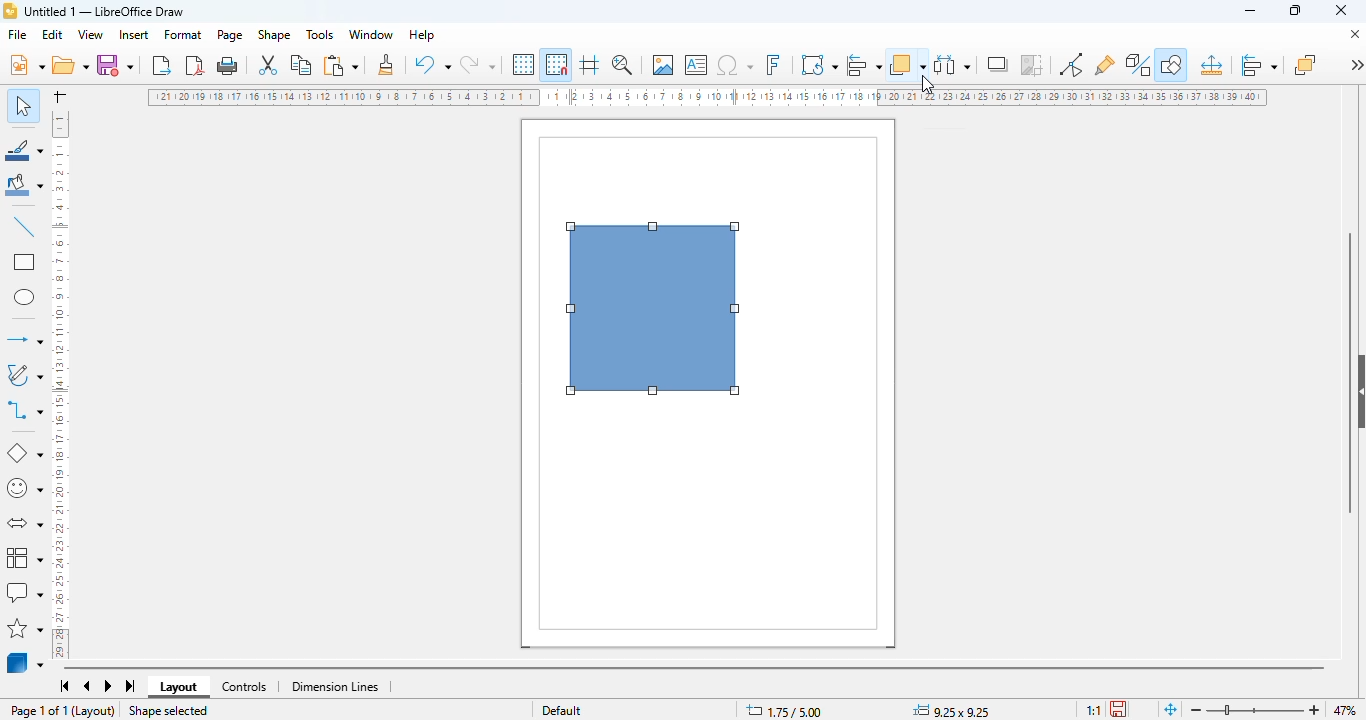 Image resolution: width=1366 pixels, height=720 pixels. What do you see at coordinates (386, 64) in the screenshot?
I see `clone formatting` at bounding box center [386, 64].